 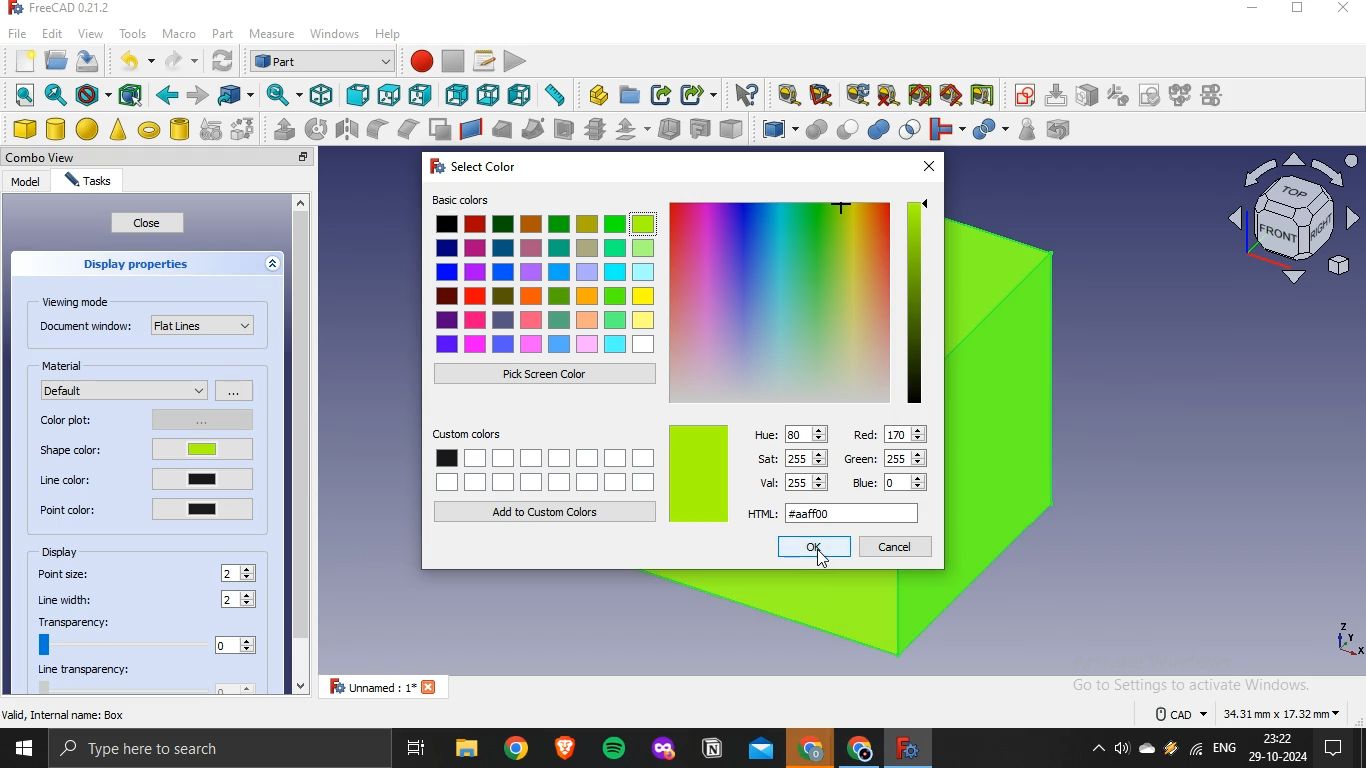 I want to click on cut, so click(x=848, y=127).